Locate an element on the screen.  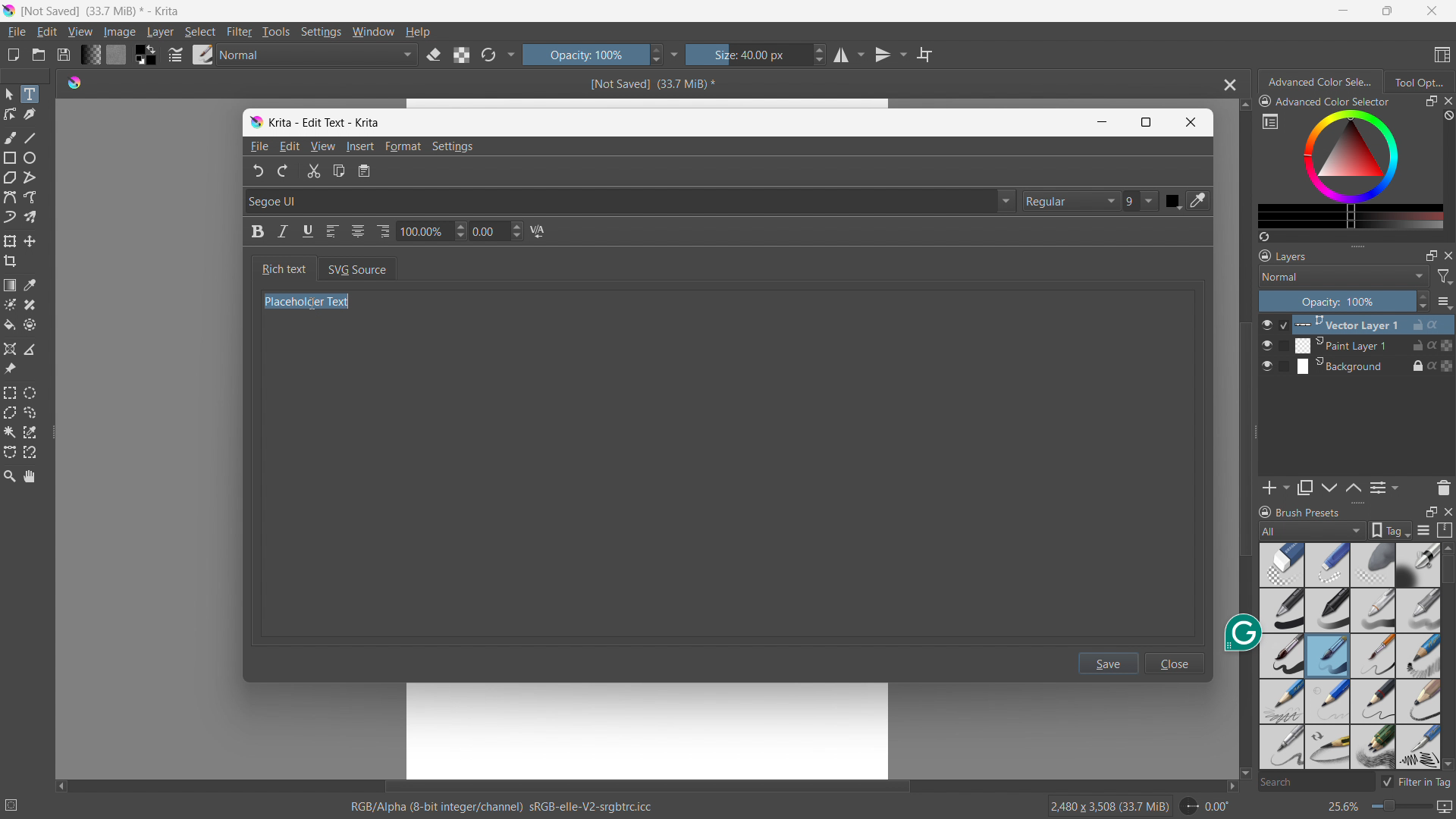
Vector Layer 1 is located at coordinates (1366, 324).